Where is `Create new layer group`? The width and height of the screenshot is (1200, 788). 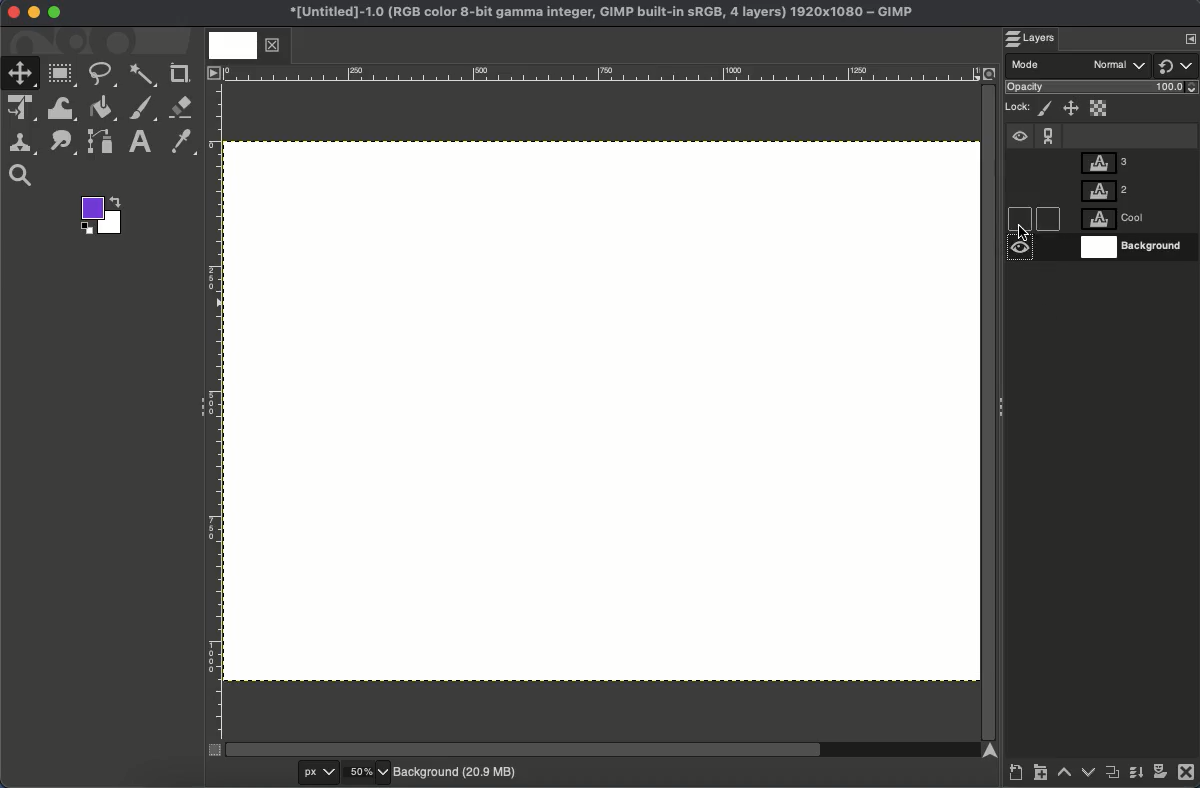
Create new layer group is located at coordinates (1041, 776).